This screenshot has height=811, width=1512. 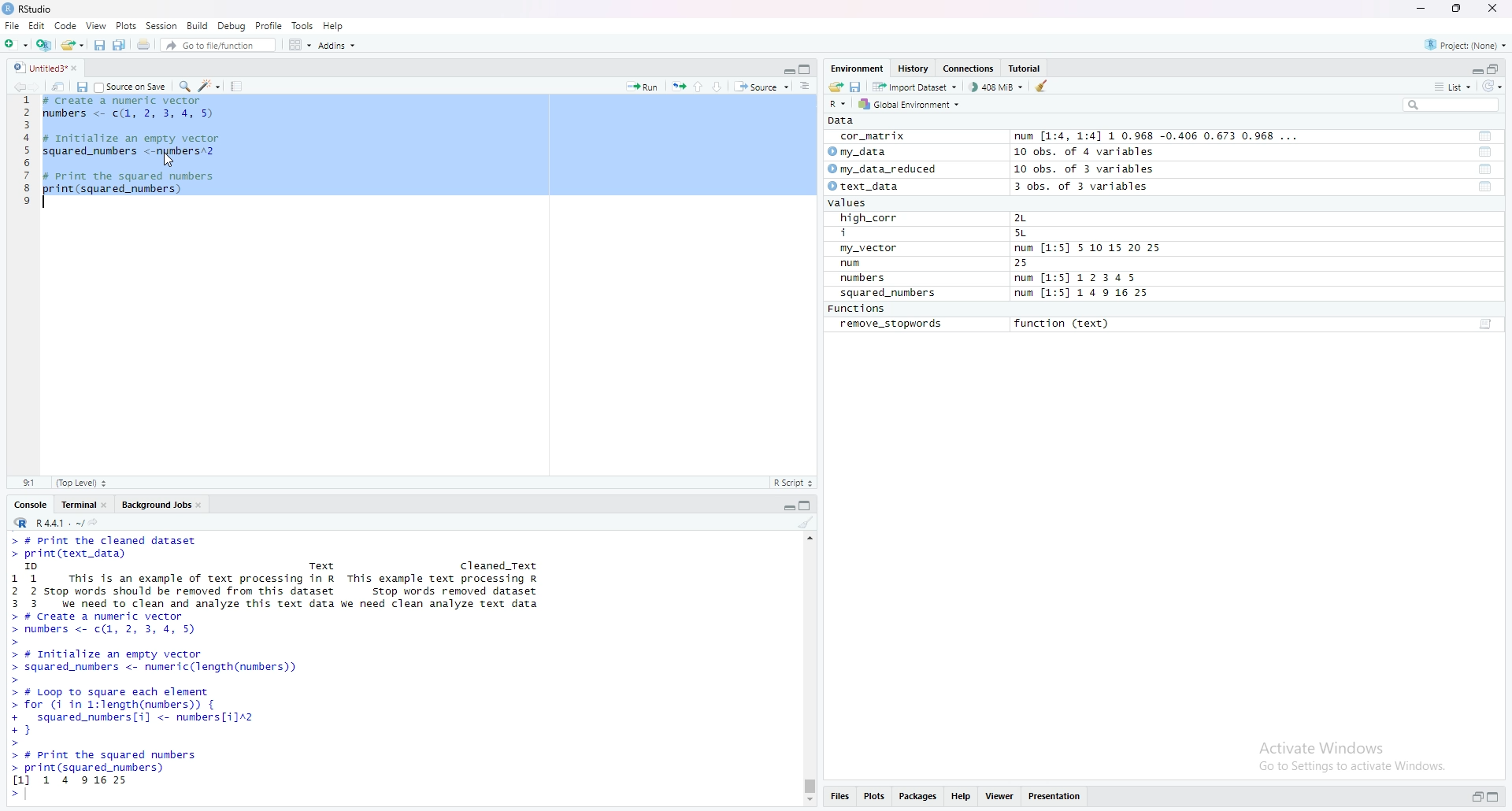 What do you see at coordinates (678, 85) in the screenshot?
I see `re-run previous code region` at bounding box center [678, 85].